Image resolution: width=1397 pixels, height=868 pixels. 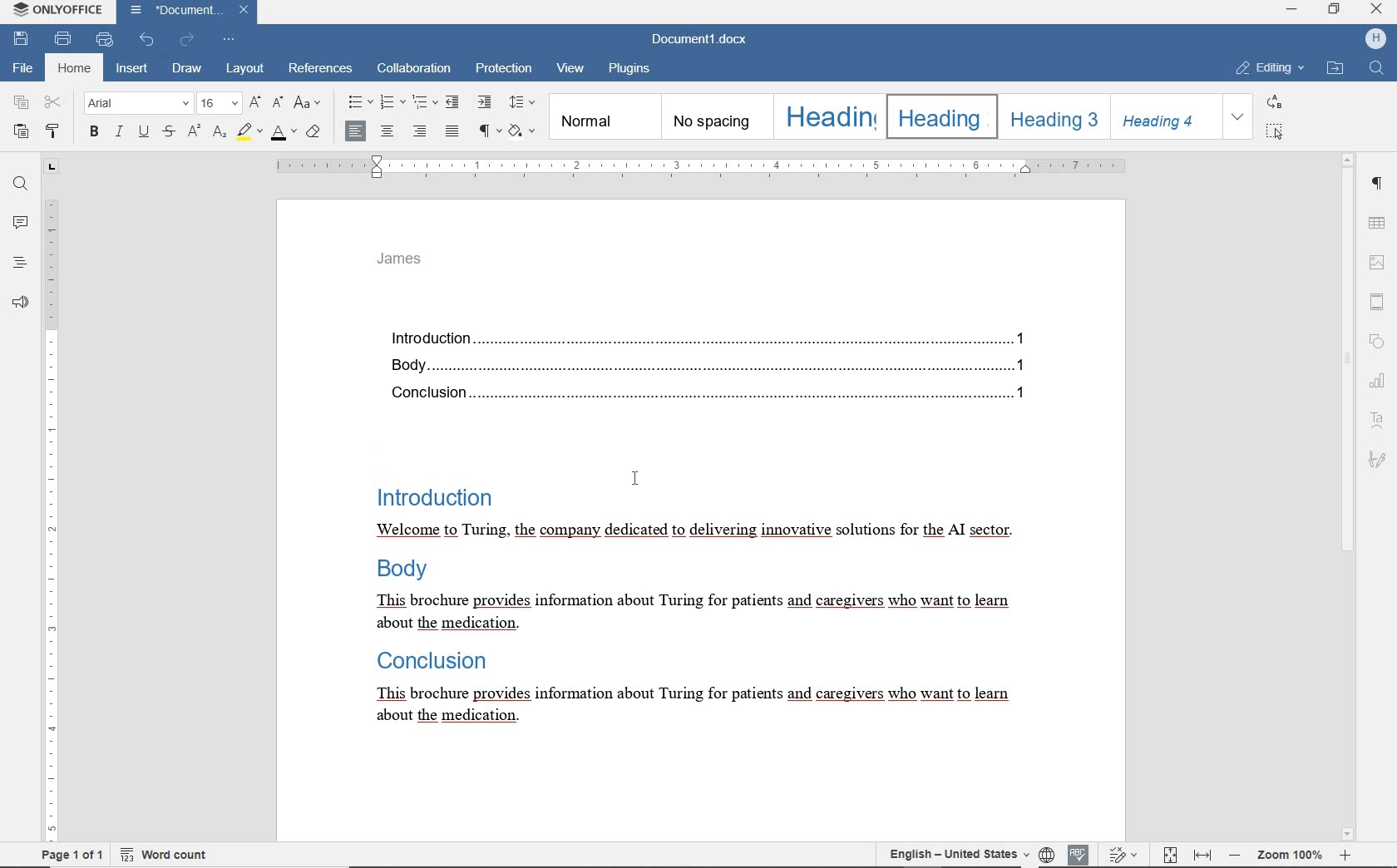 I want to click on CURSOR AFTER CHANGING DOCUMENT LANGUAGE, so click(x=634, y=479).